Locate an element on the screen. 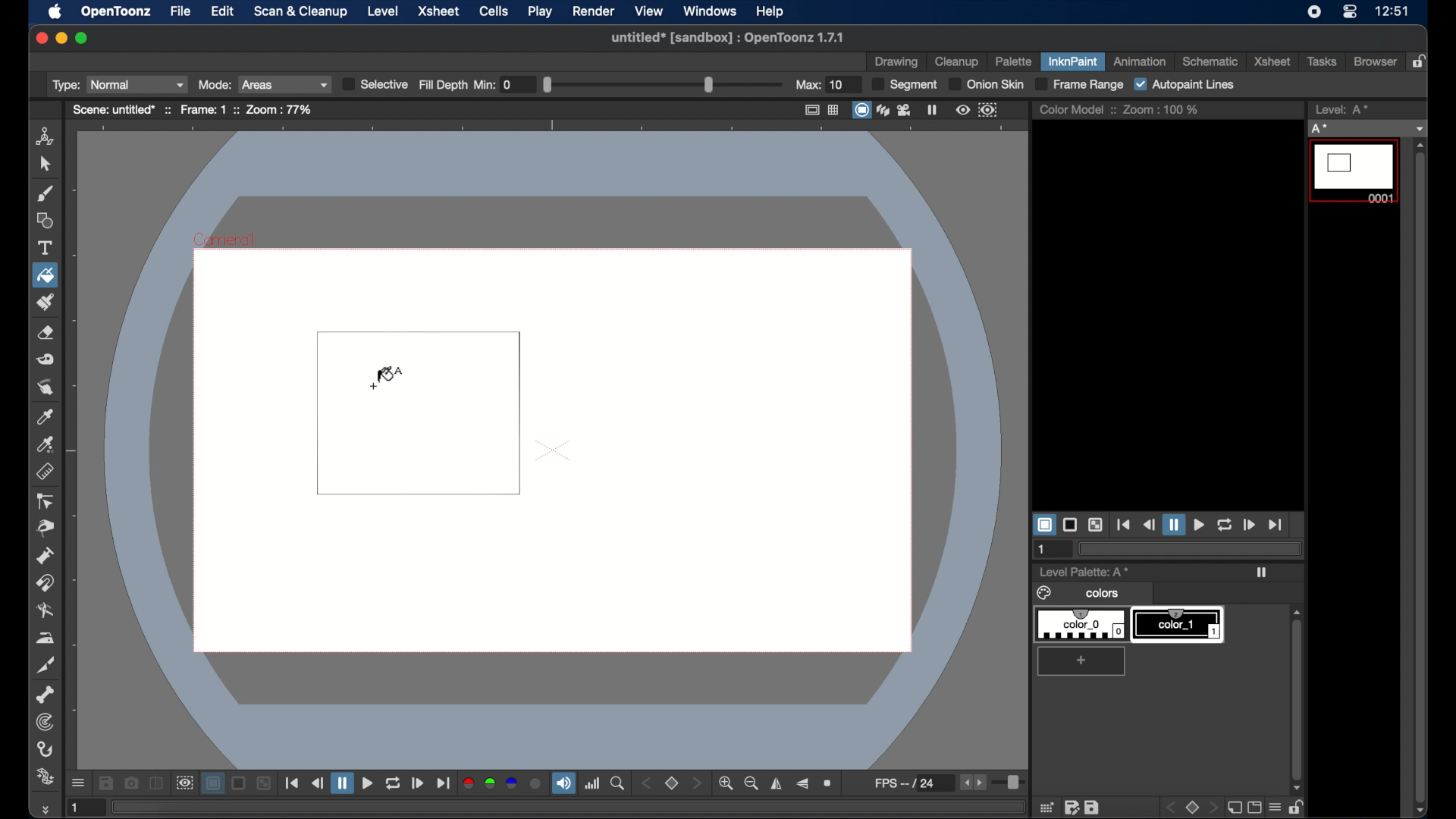  segment is located at coordinates (905, 85).